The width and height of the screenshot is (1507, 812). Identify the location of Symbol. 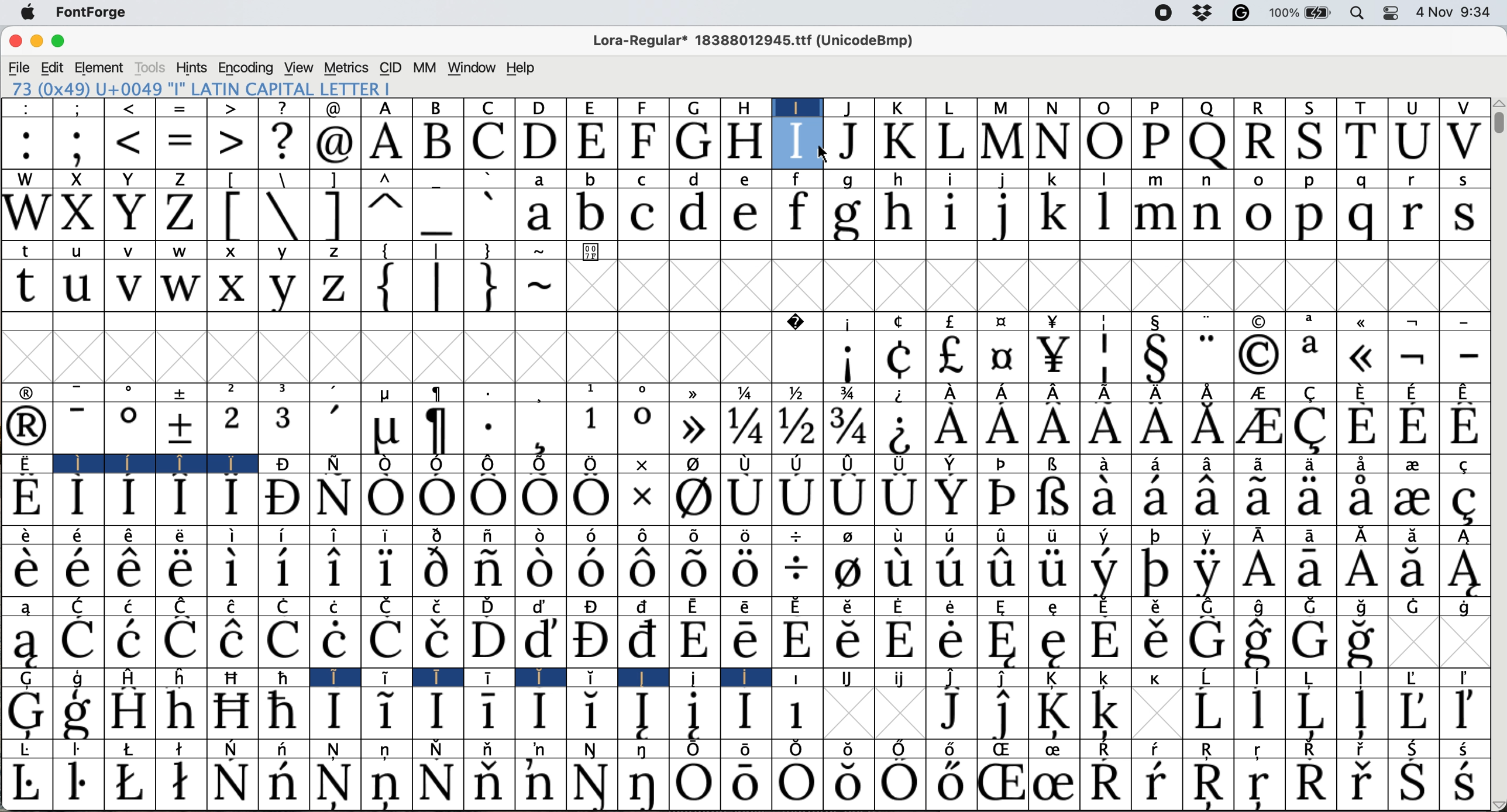
(949, 535).